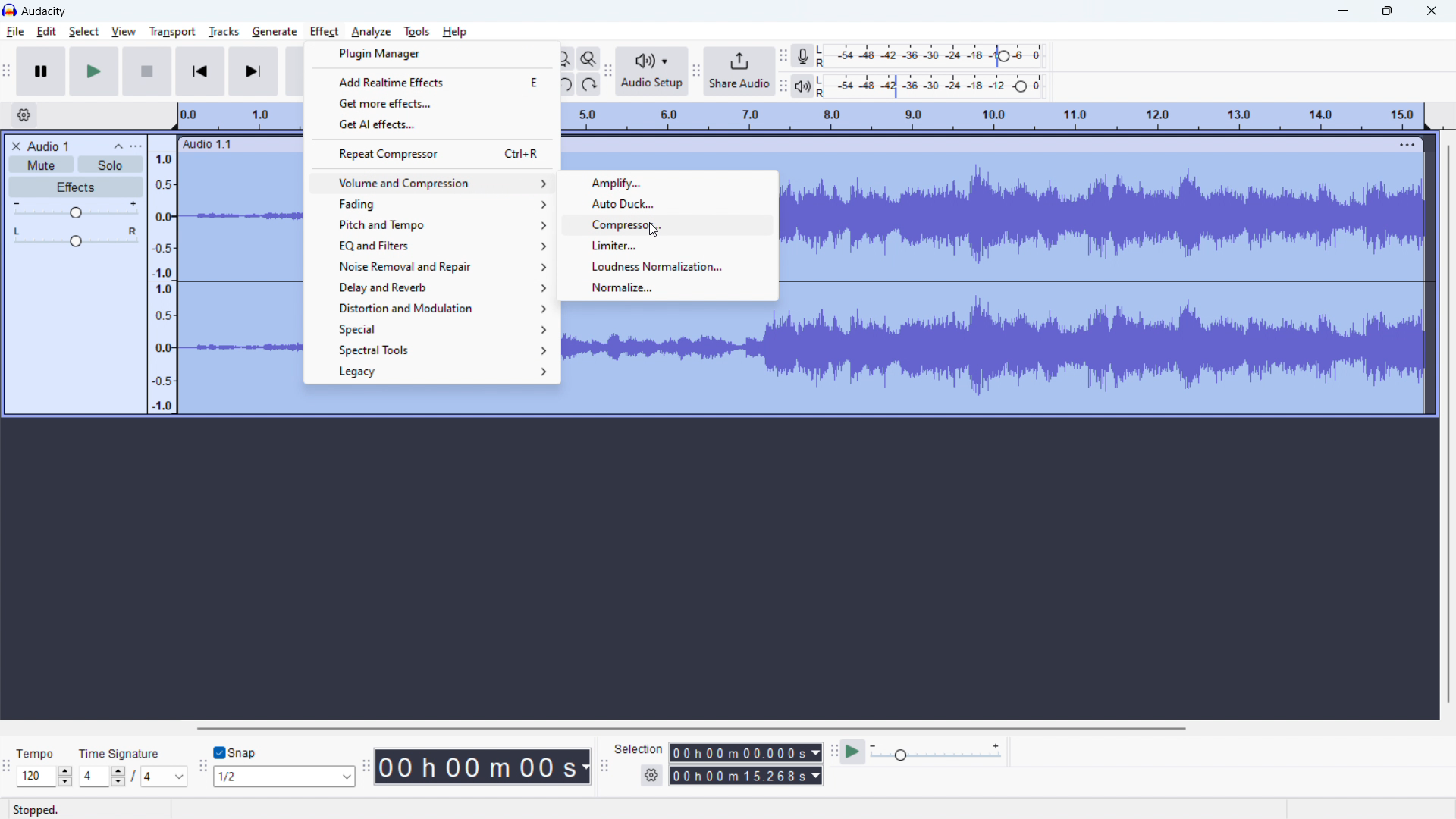 The image size is (1456, 819). I want to click on Time Signature, so click(121, 750).